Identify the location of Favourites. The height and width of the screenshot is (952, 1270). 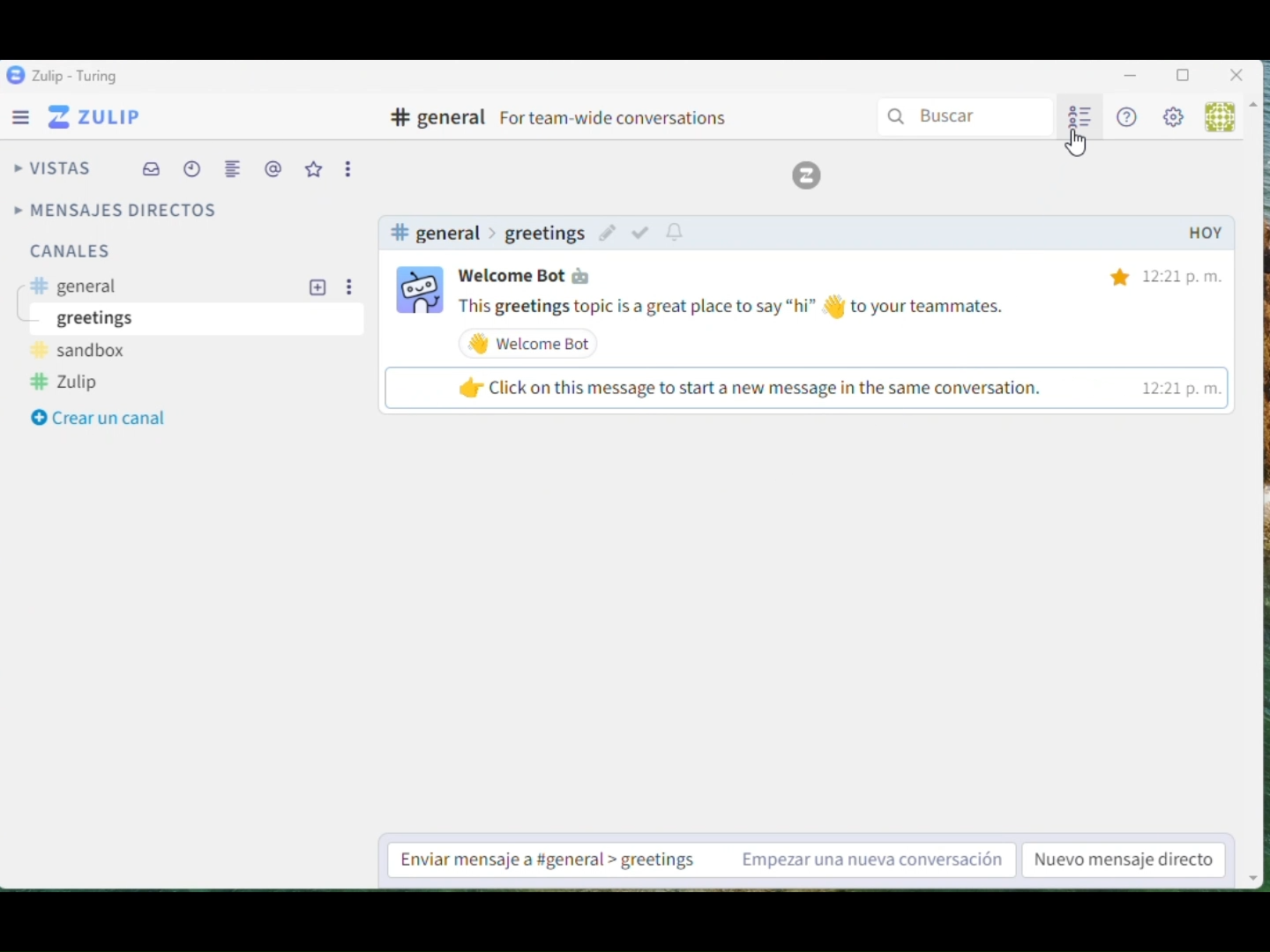
(315, 170).